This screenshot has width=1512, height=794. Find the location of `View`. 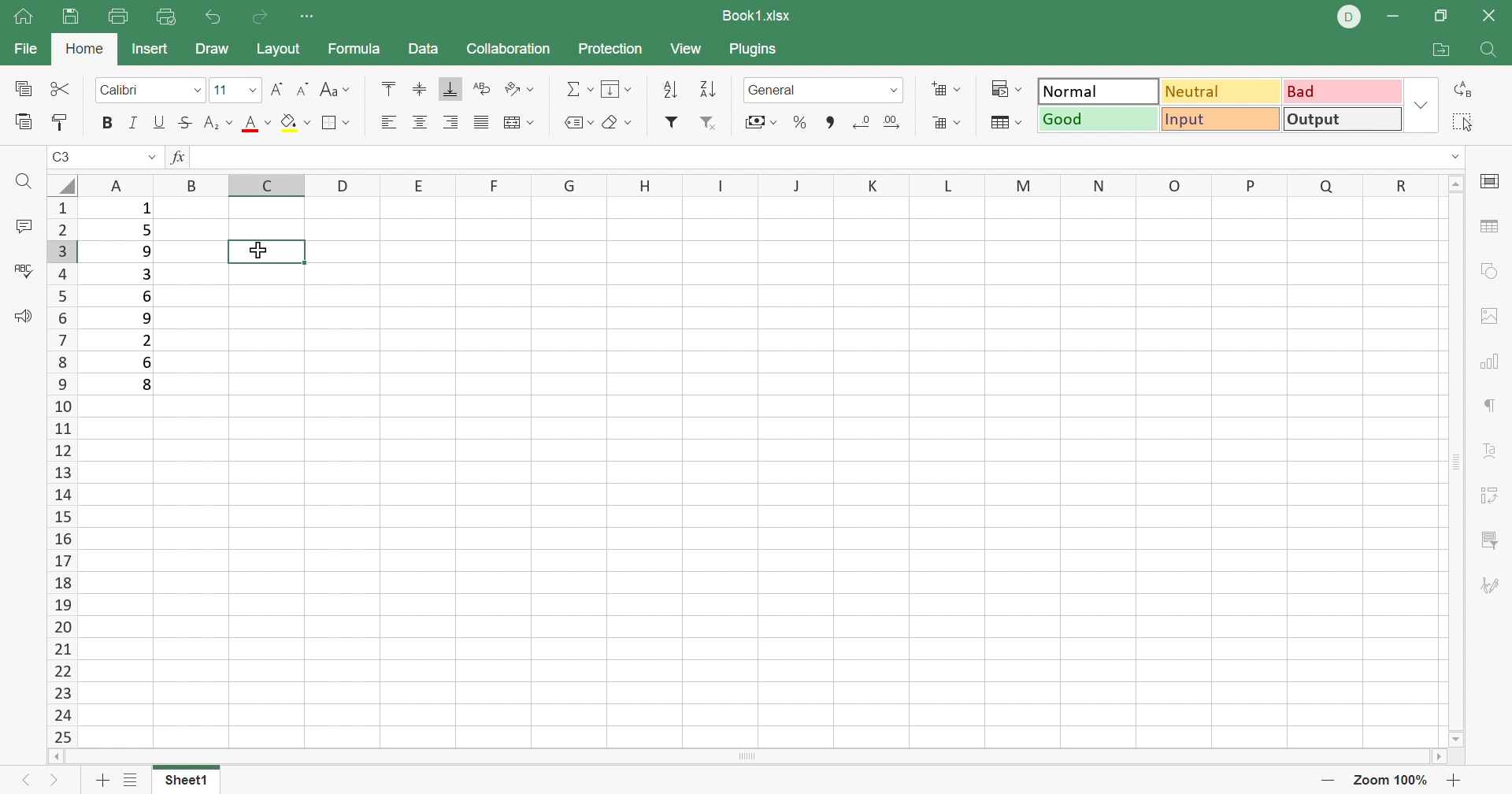

View is located at coordinates (687, 47).